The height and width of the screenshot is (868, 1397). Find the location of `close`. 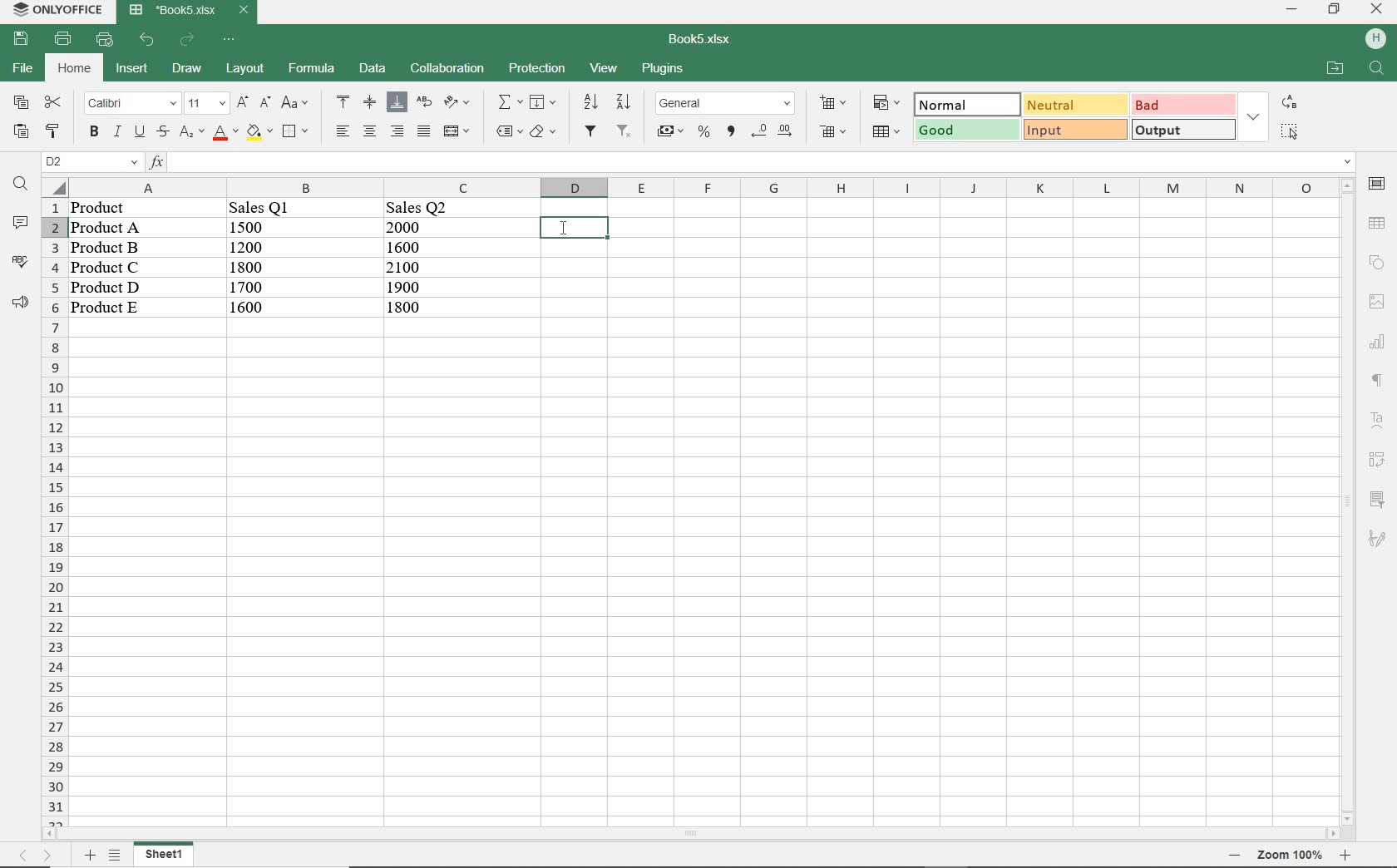

close is located at coordinates (1379, 8).